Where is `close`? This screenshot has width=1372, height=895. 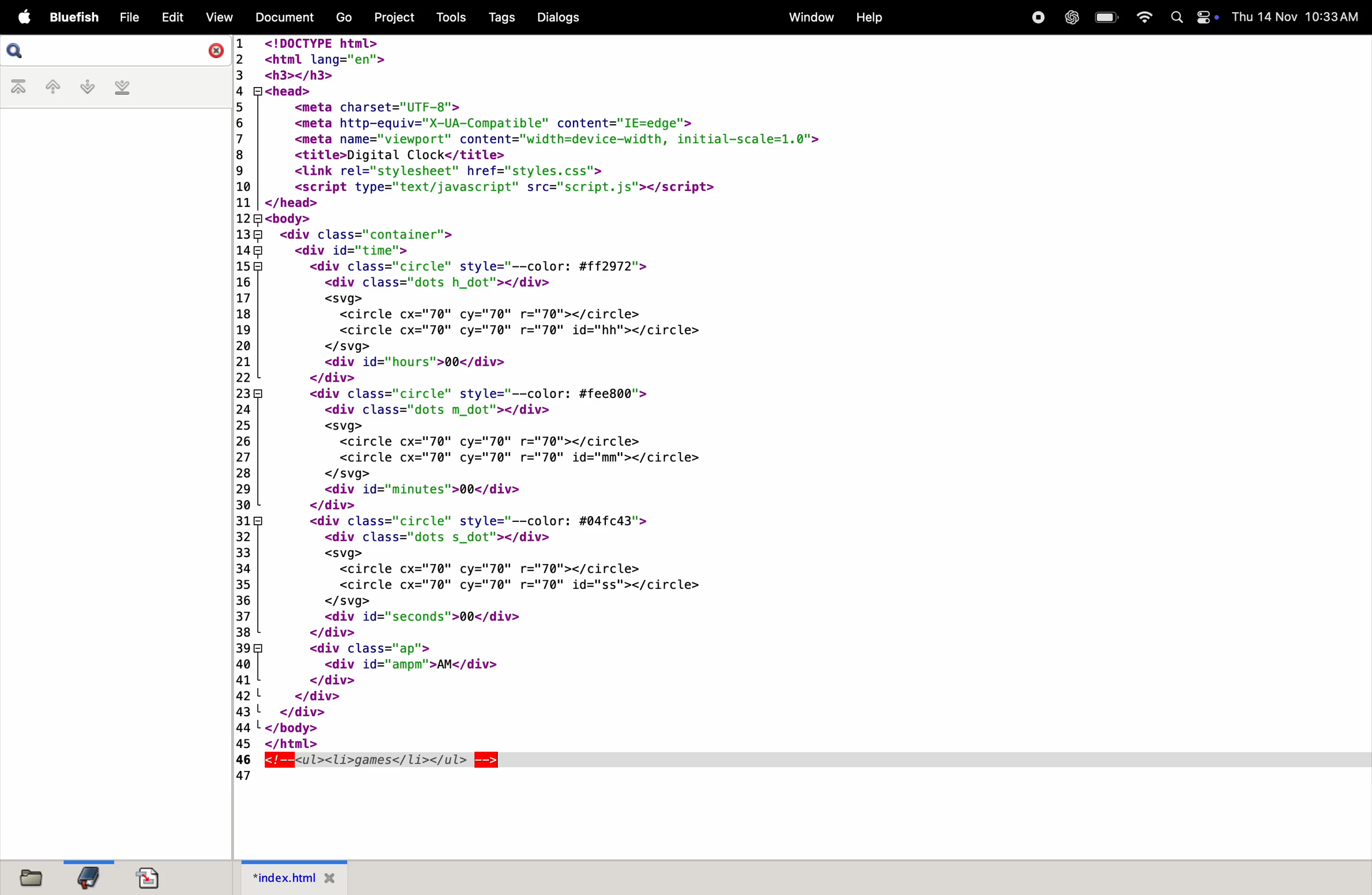
close is located at coordinates (212, 52).